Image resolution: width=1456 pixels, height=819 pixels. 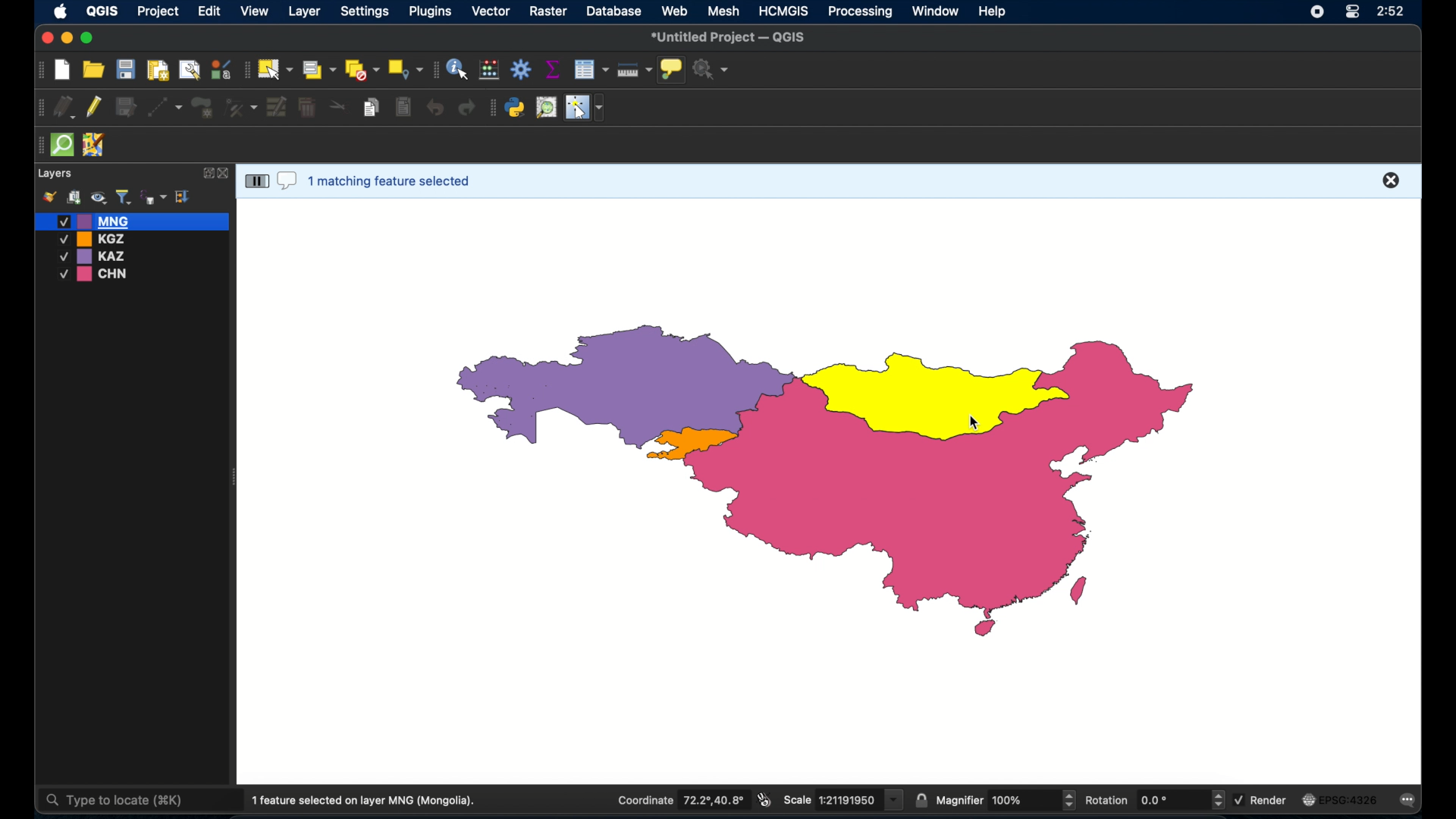 What do you see at coordinates (435, 70) in the screenshot?
I see `attributes toolbar` at bounding box center [435, 70].